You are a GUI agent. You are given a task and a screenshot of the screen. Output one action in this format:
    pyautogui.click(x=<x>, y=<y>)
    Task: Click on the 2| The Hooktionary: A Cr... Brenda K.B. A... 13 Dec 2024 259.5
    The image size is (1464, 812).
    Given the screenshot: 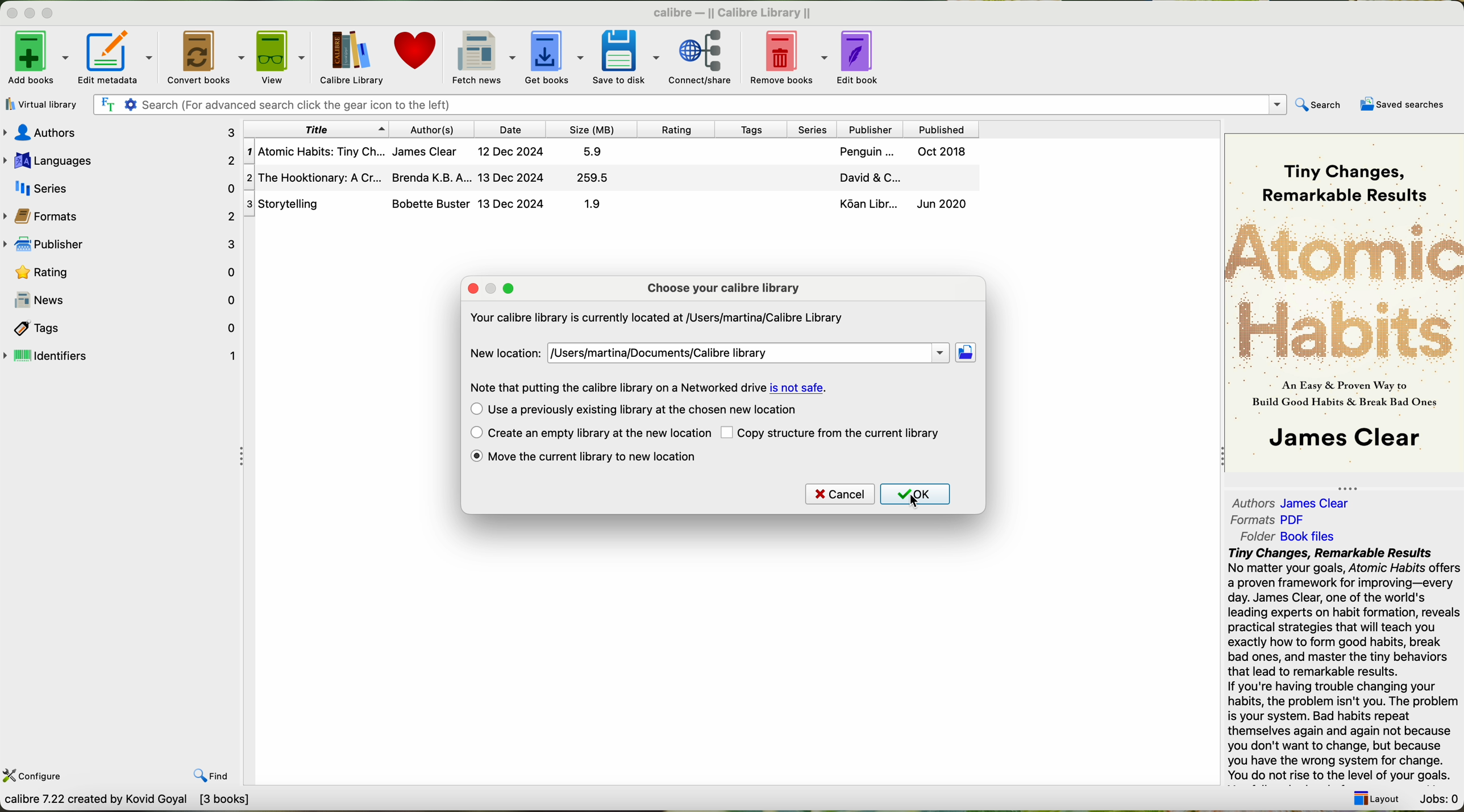 What is the action you would take?
    pyautogui.click(x=437, y=177)
    